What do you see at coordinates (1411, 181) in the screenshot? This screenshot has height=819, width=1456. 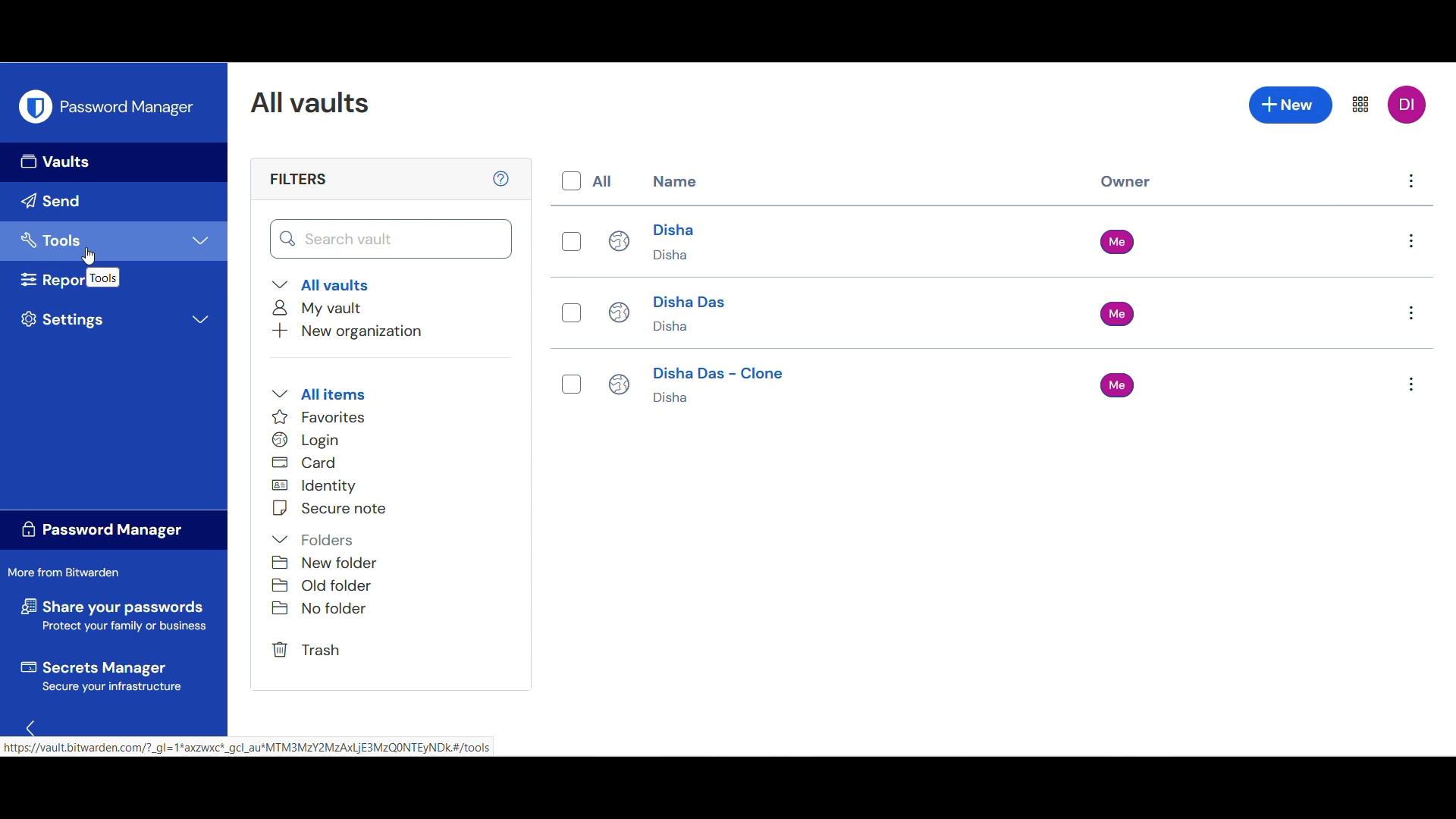 I see `Indicates settings column` at bounding box center [1411, 181].